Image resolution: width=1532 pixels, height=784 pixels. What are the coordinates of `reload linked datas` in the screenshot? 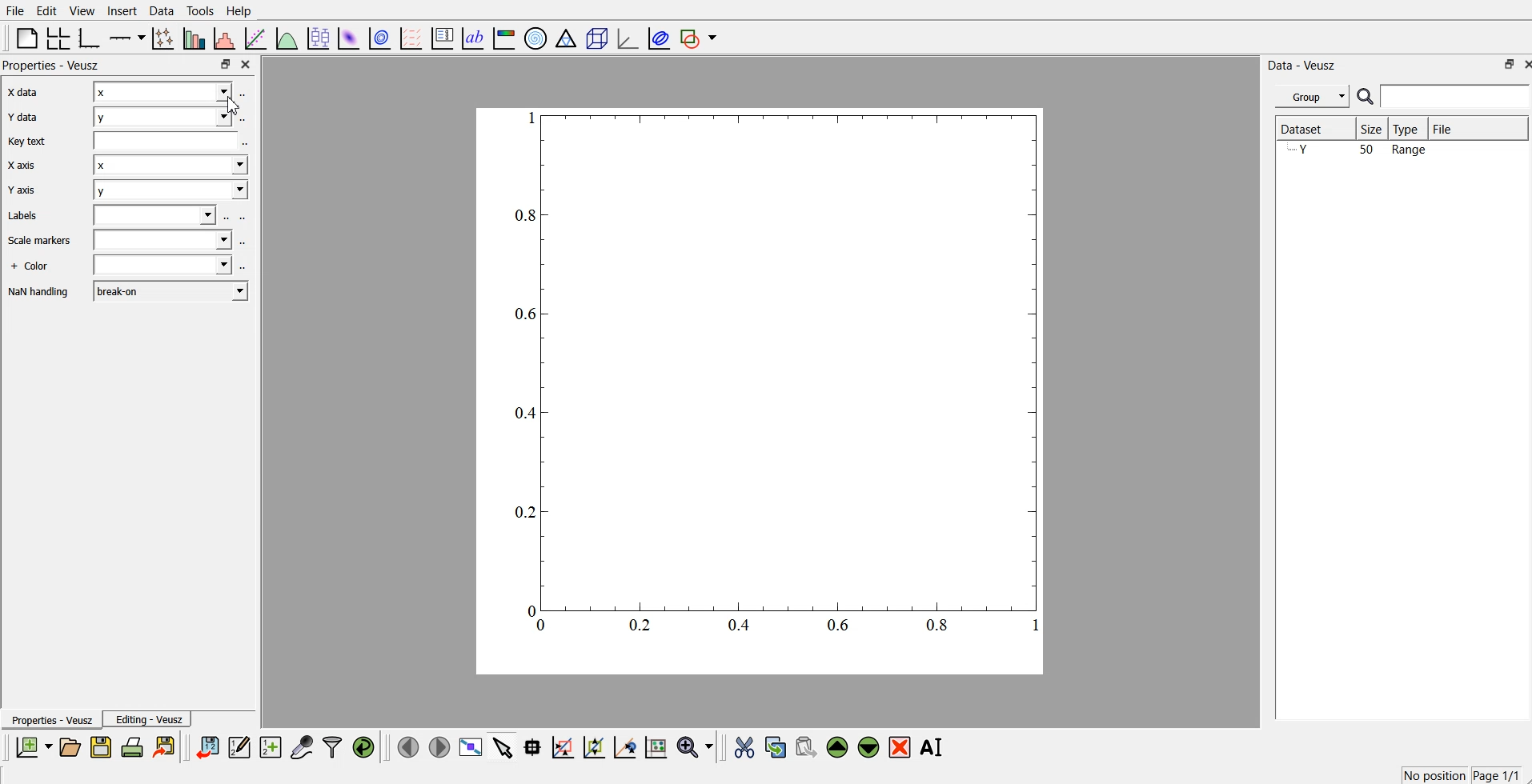 It's located at (365, 748).